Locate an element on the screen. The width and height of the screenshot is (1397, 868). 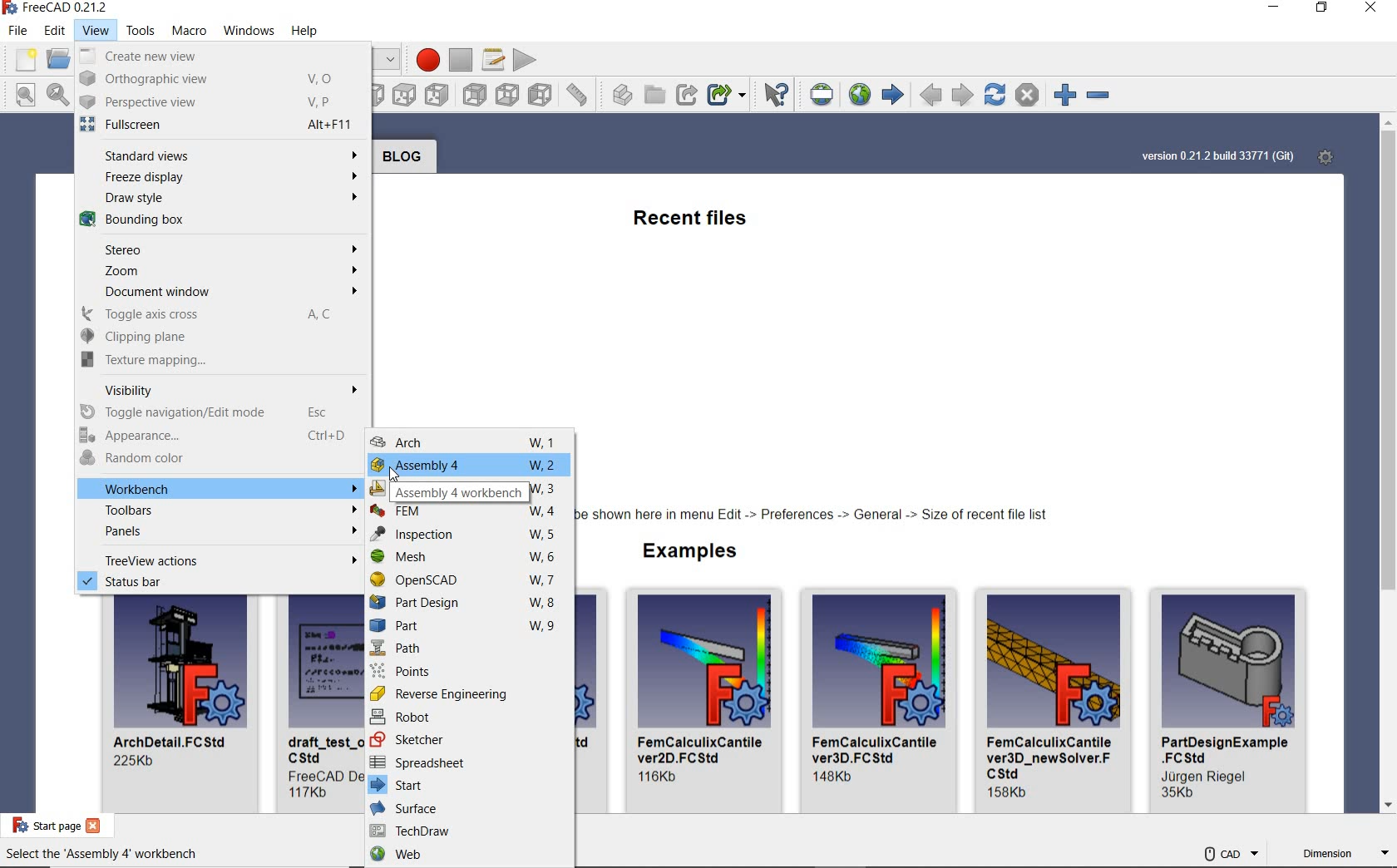
FEM is located at coordinates (466, 514).